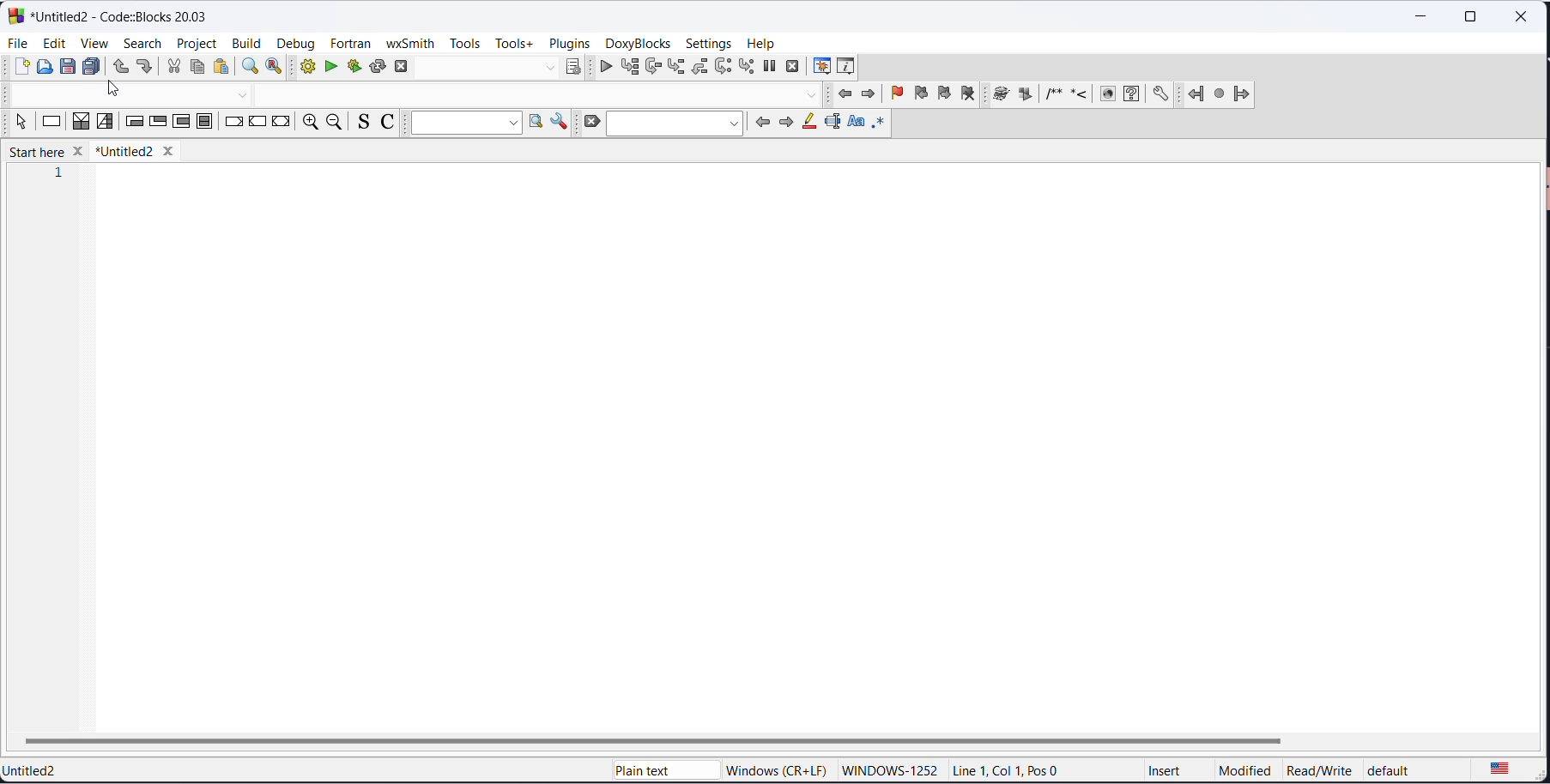  Describe the element at coordinates (1220, 97) in the screenshot. I see `last jump` at that location.